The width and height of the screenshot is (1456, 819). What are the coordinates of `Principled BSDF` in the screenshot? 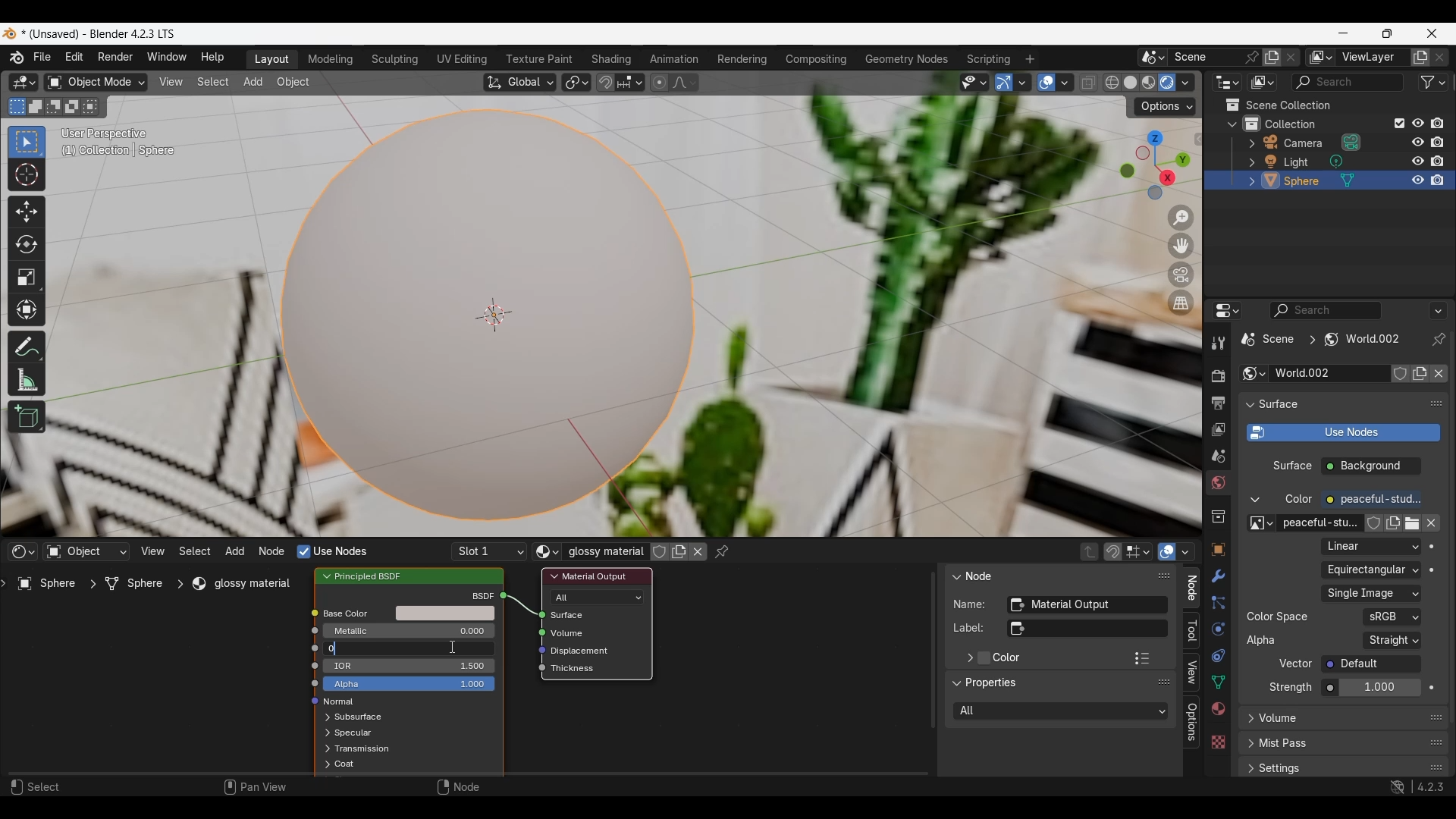 It's located at (375, 576).